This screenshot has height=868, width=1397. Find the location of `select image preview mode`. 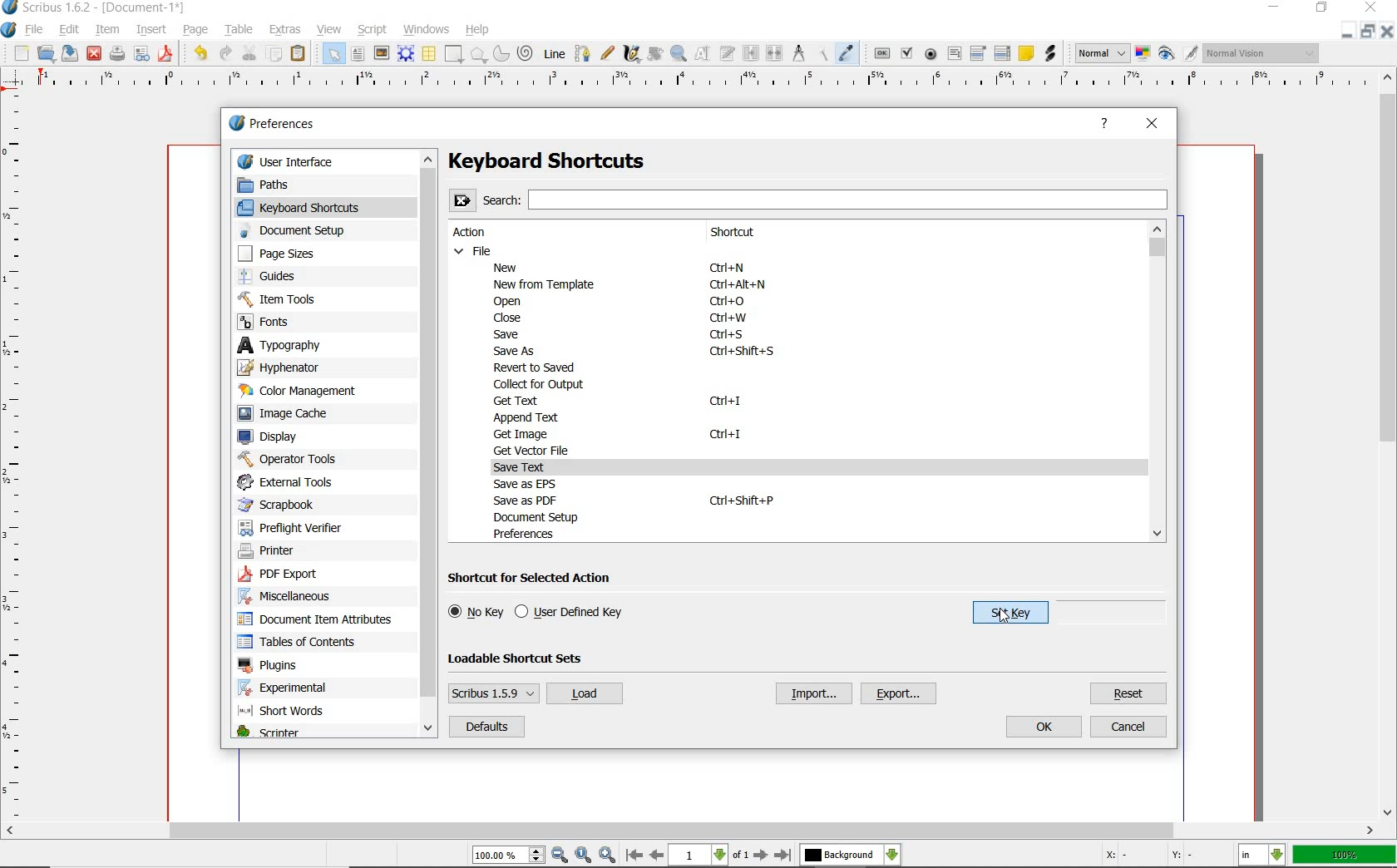

select image preview mode is located at coordinates (1100, 53).